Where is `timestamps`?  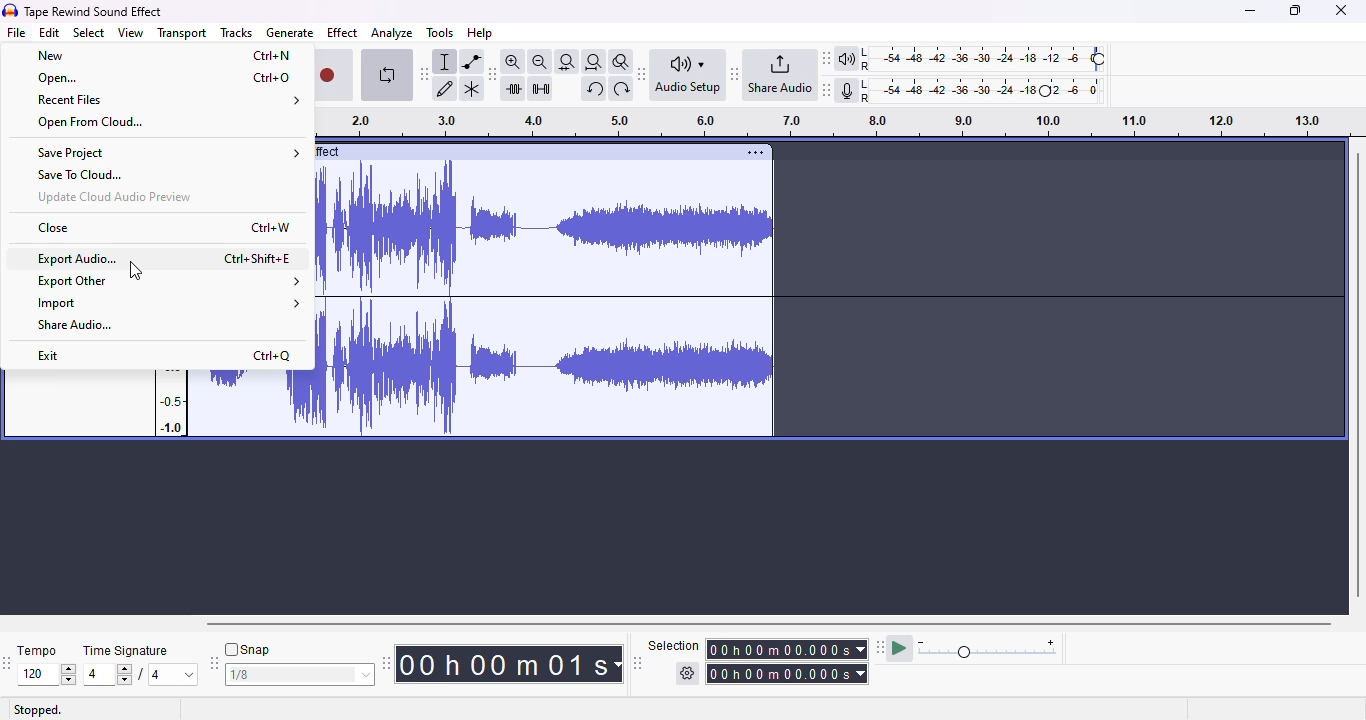 timestamps is located at coordinates (823, 121).